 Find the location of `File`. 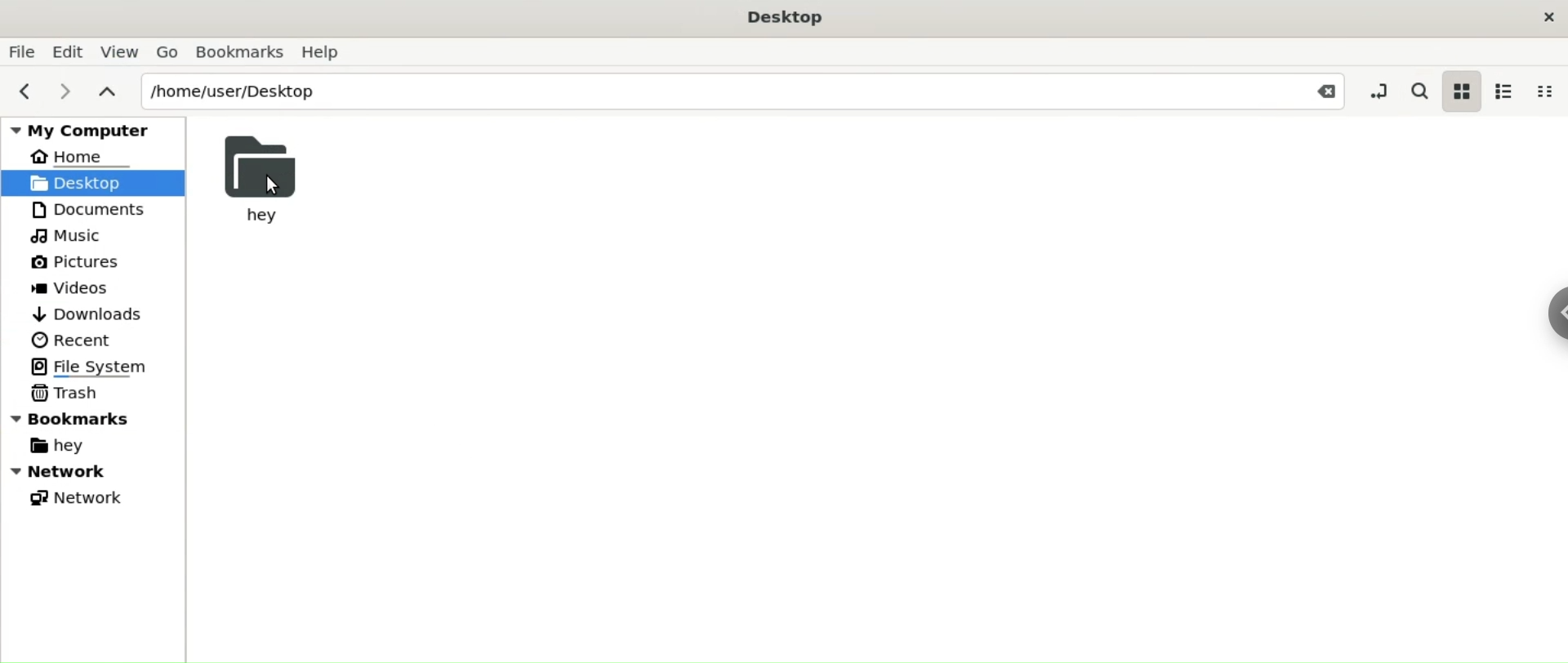

File is located at coordinates (21, 52).